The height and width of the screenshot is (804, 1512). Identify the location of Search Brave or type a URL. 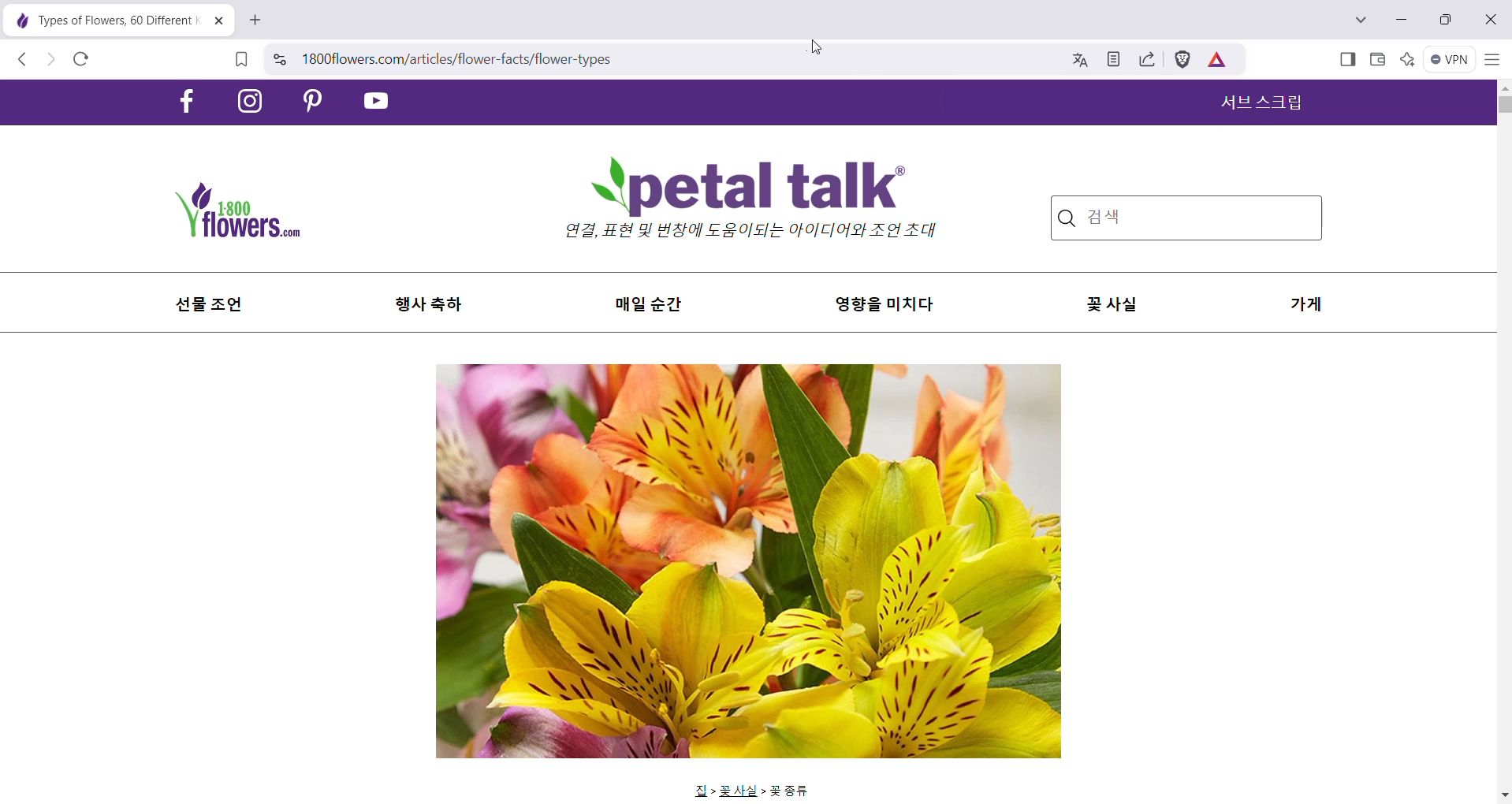
(656, 60).